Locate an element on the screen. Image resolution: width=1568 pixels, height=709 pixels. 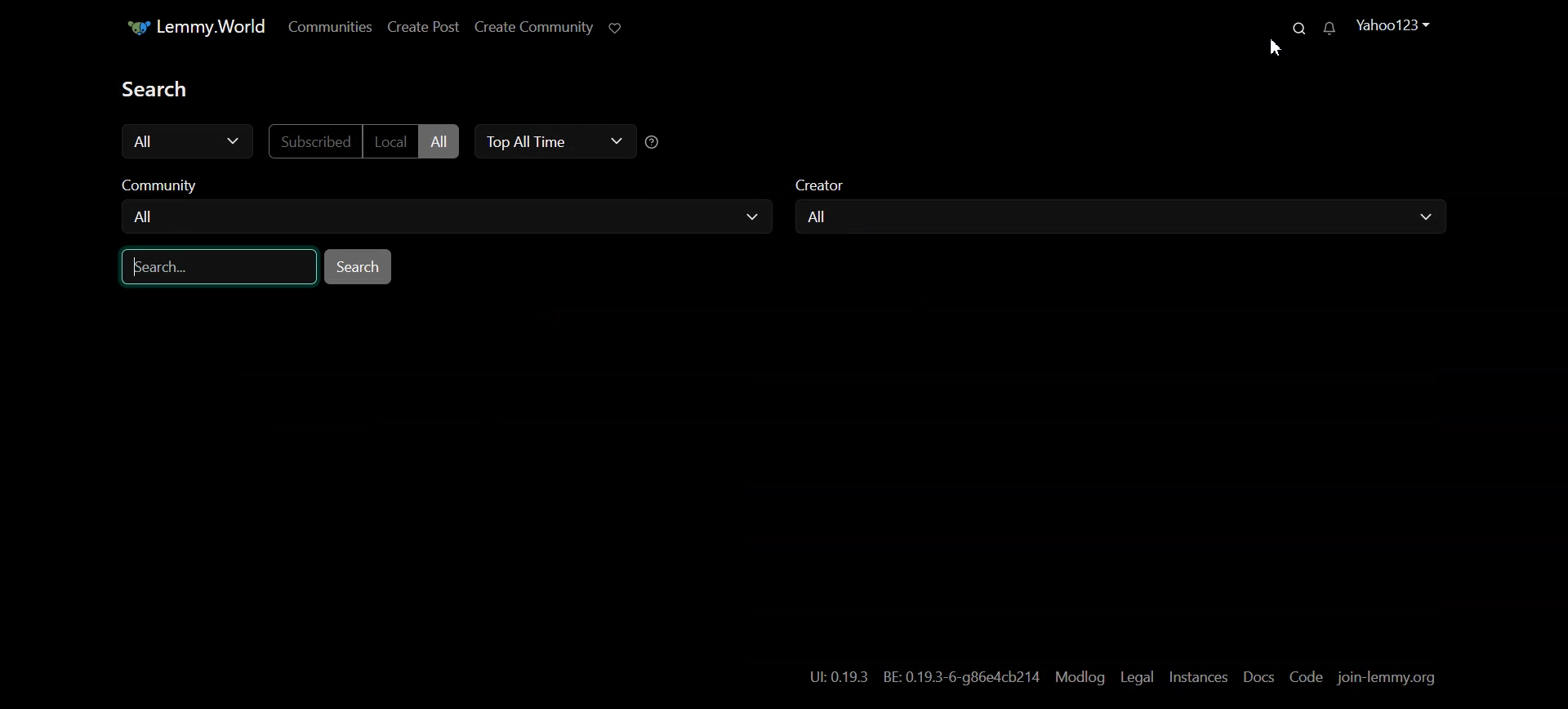
Yahoo123 is located at coordinates (1392, 25).